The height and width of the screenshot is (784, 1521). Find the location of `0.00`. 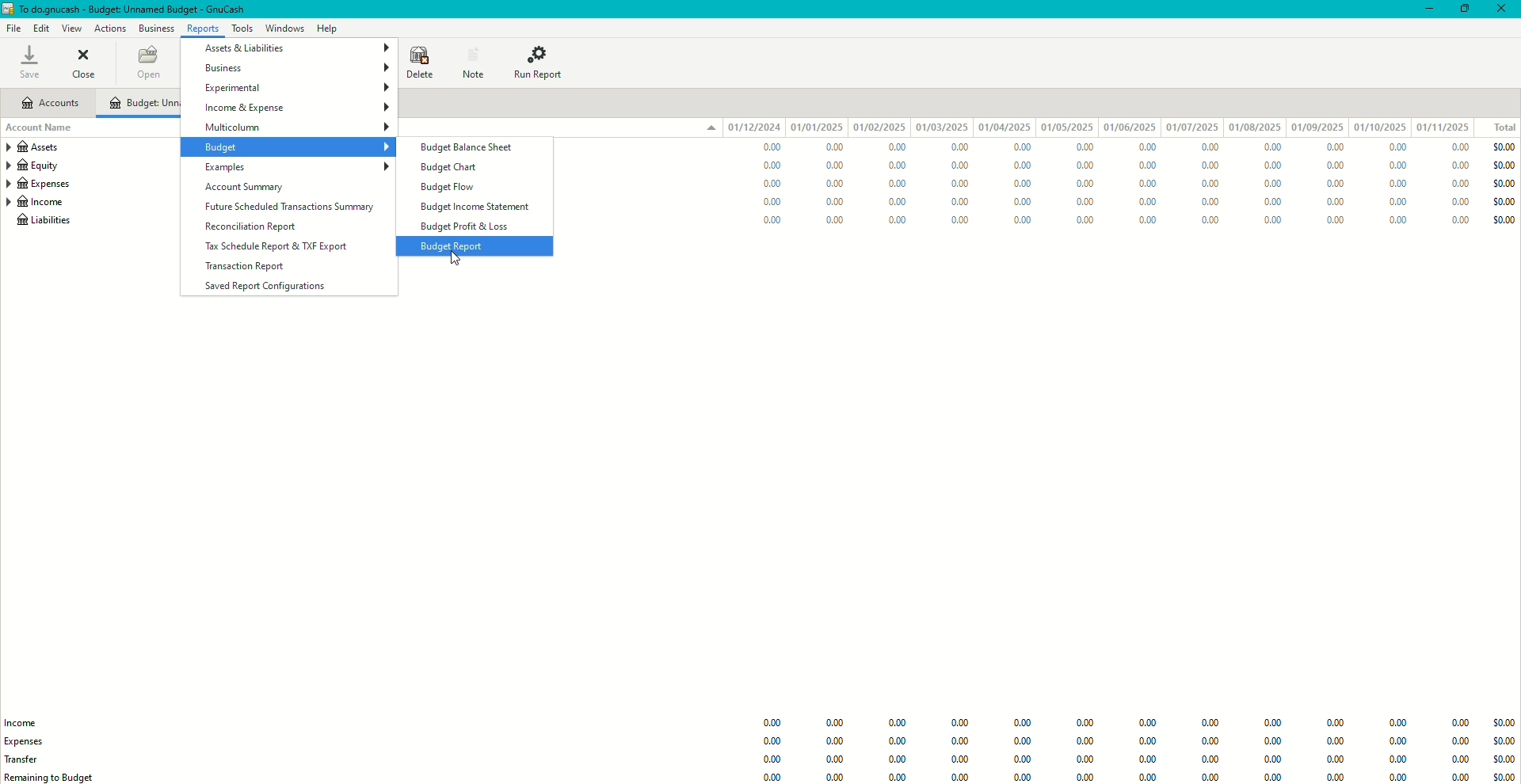

0.00 is located at coordinates (1086, 201).